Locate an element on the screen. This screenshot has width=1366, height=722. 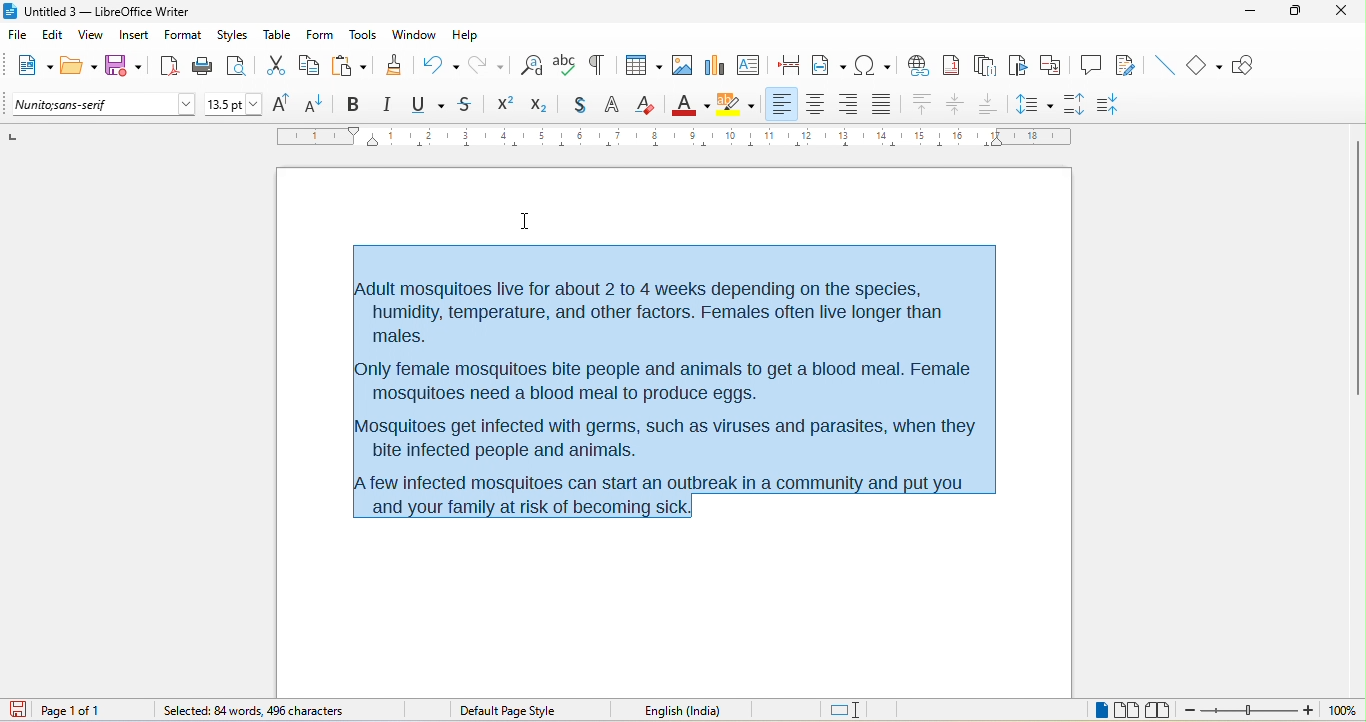
zoom is located at coordinates (1250, 712).